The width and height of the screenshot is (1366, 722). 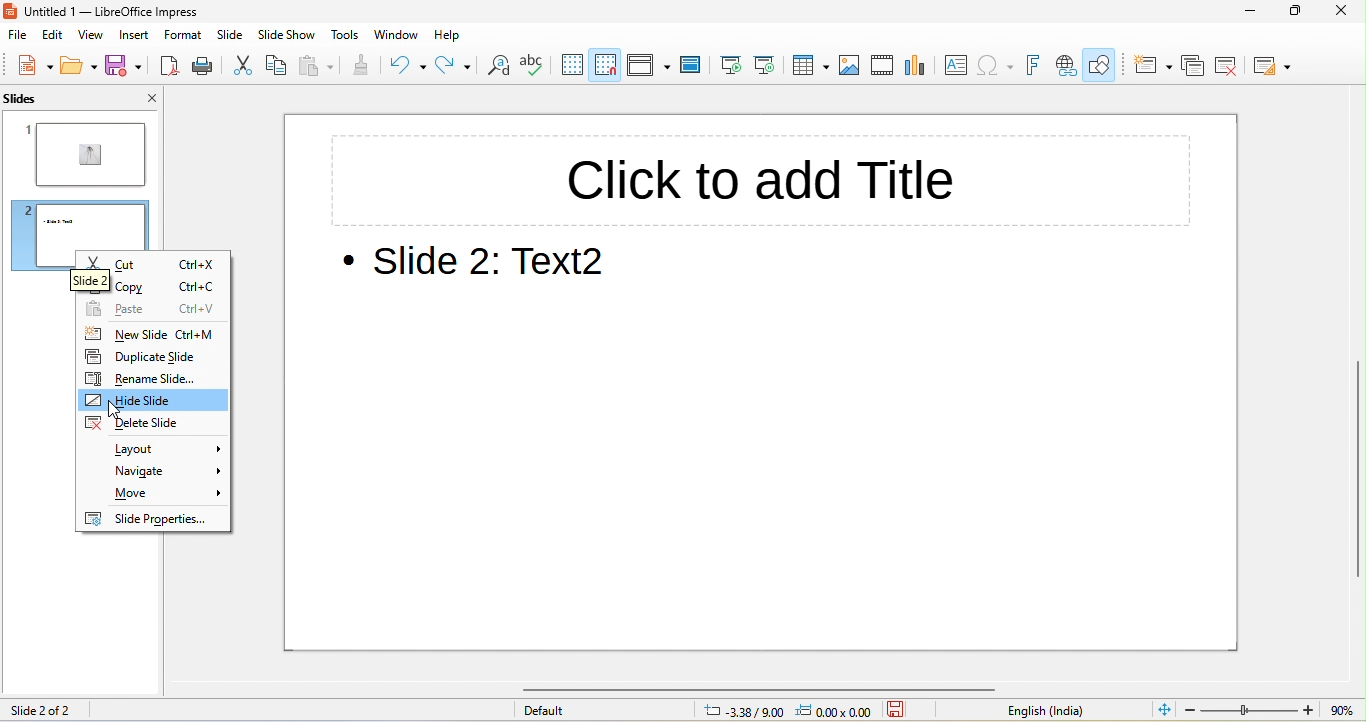 I want to click on text language, so click(x=1036, y=710).